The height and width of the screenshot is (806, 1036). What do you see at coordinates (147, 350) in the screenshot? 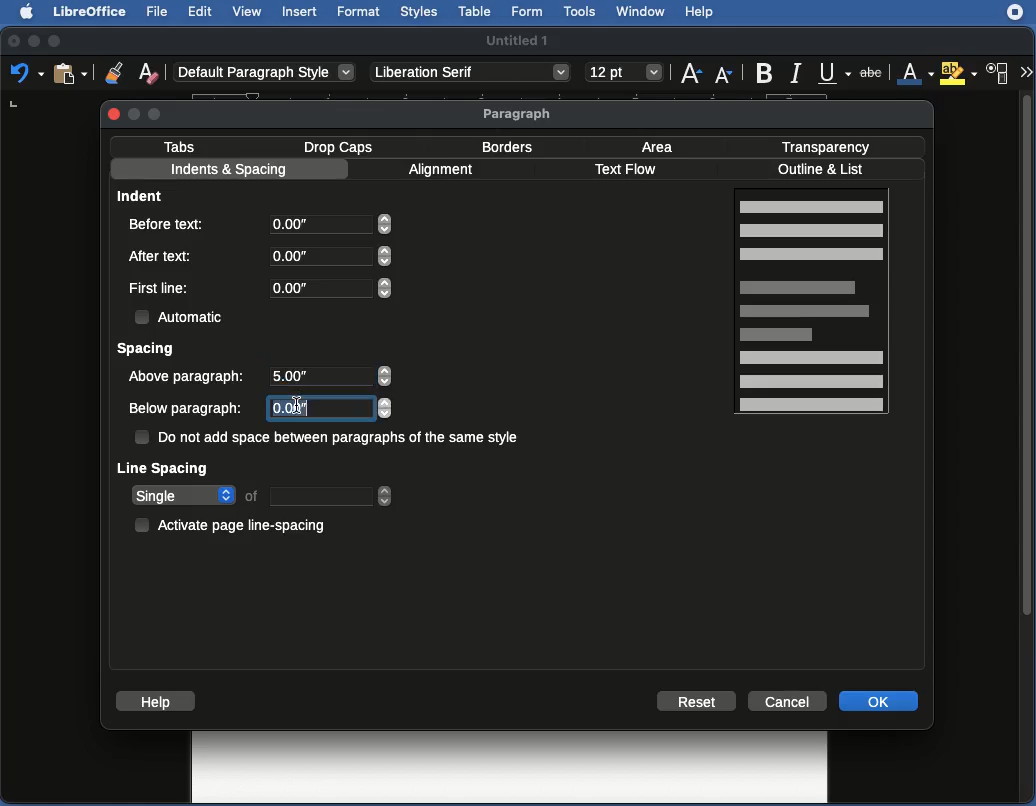
I see `Spacing` at bounding box center [147, 350].